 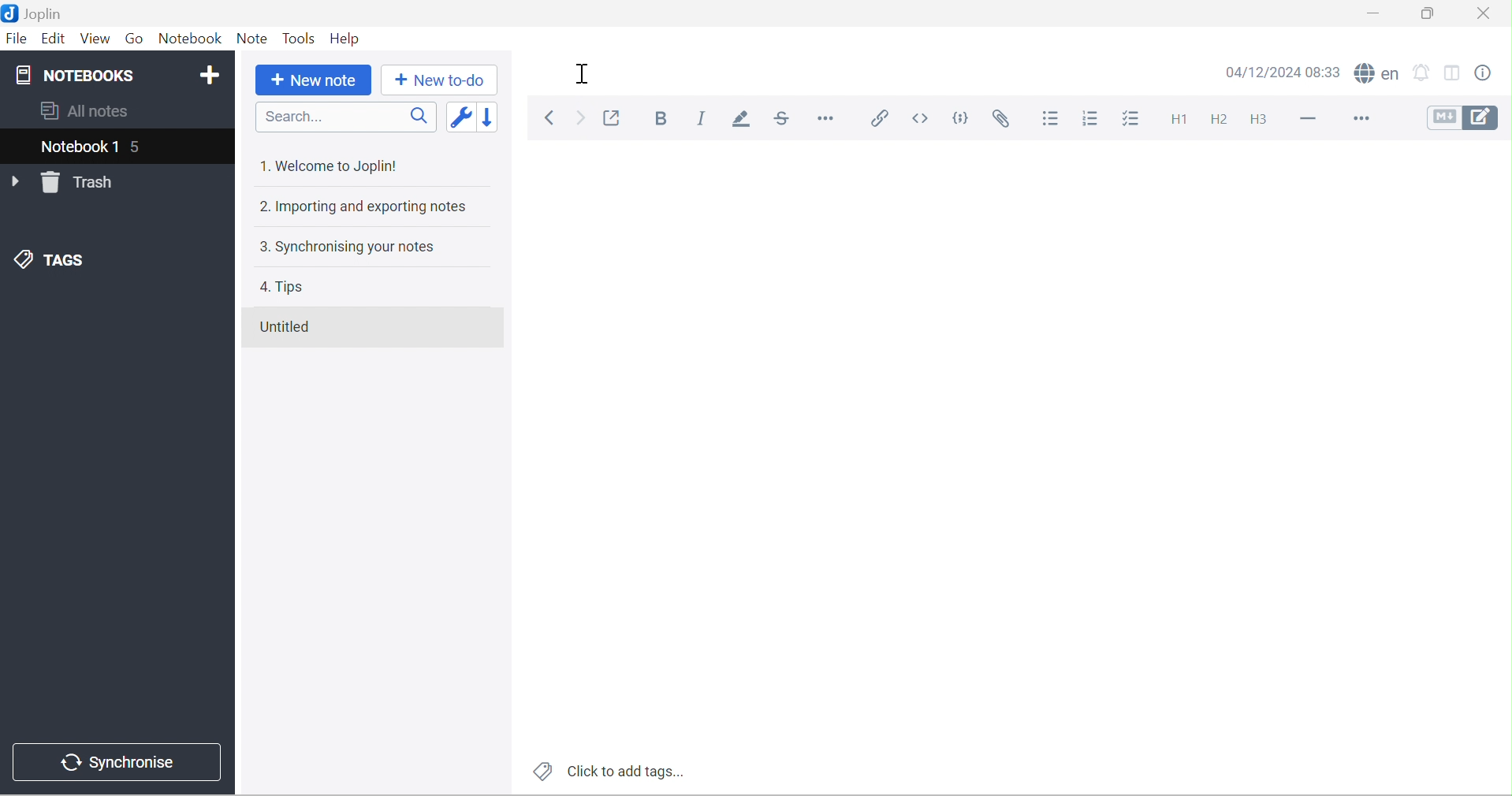 I want to click on Toggle external editing, so click(x=612, y=117).